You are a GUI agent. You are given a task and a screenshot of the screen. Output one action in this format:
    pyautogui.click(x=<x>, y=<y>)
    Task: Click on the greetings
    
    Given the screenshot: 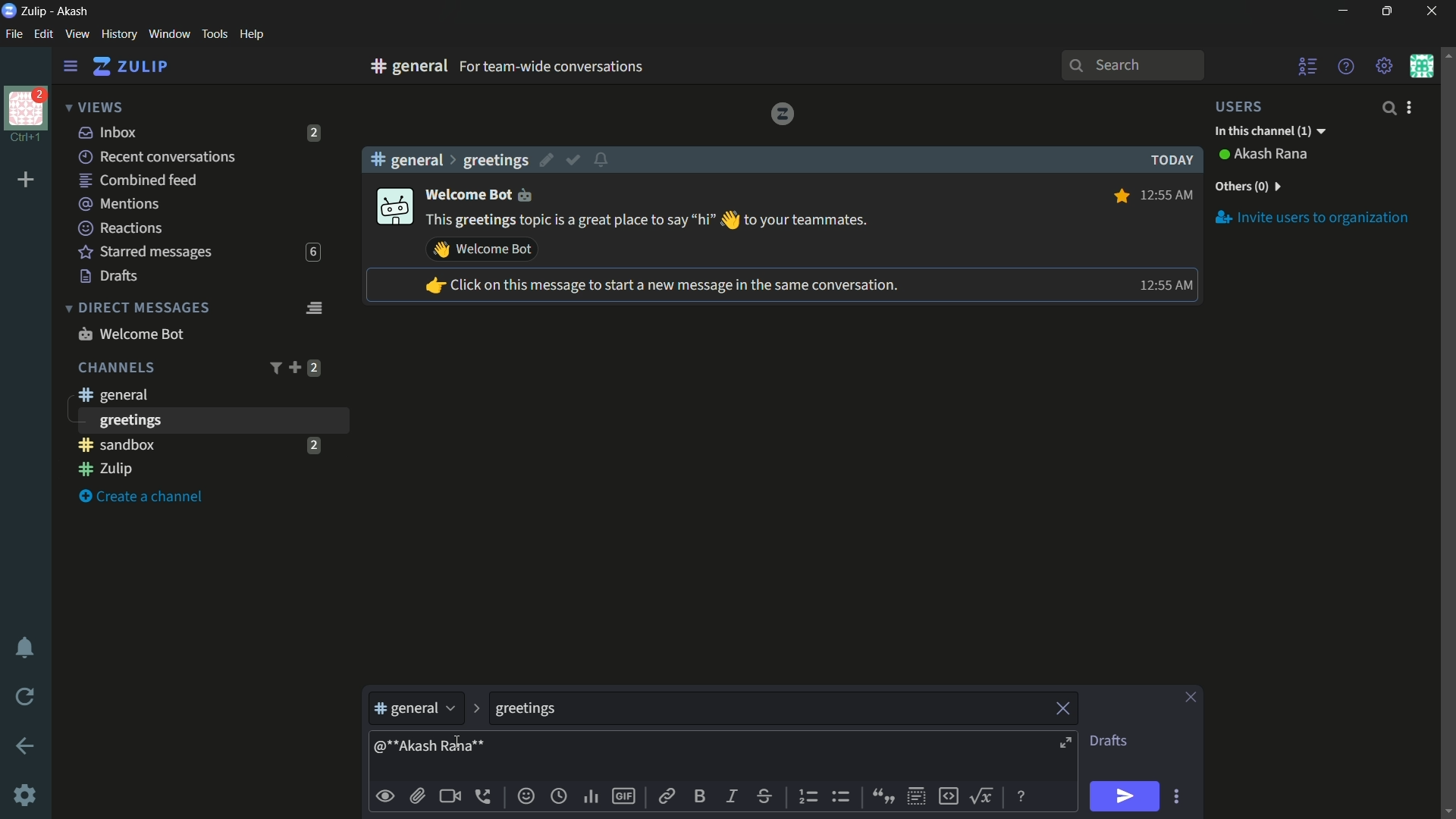 What is the action you would take?
    pyautogui.click(x=495, y=160)
    